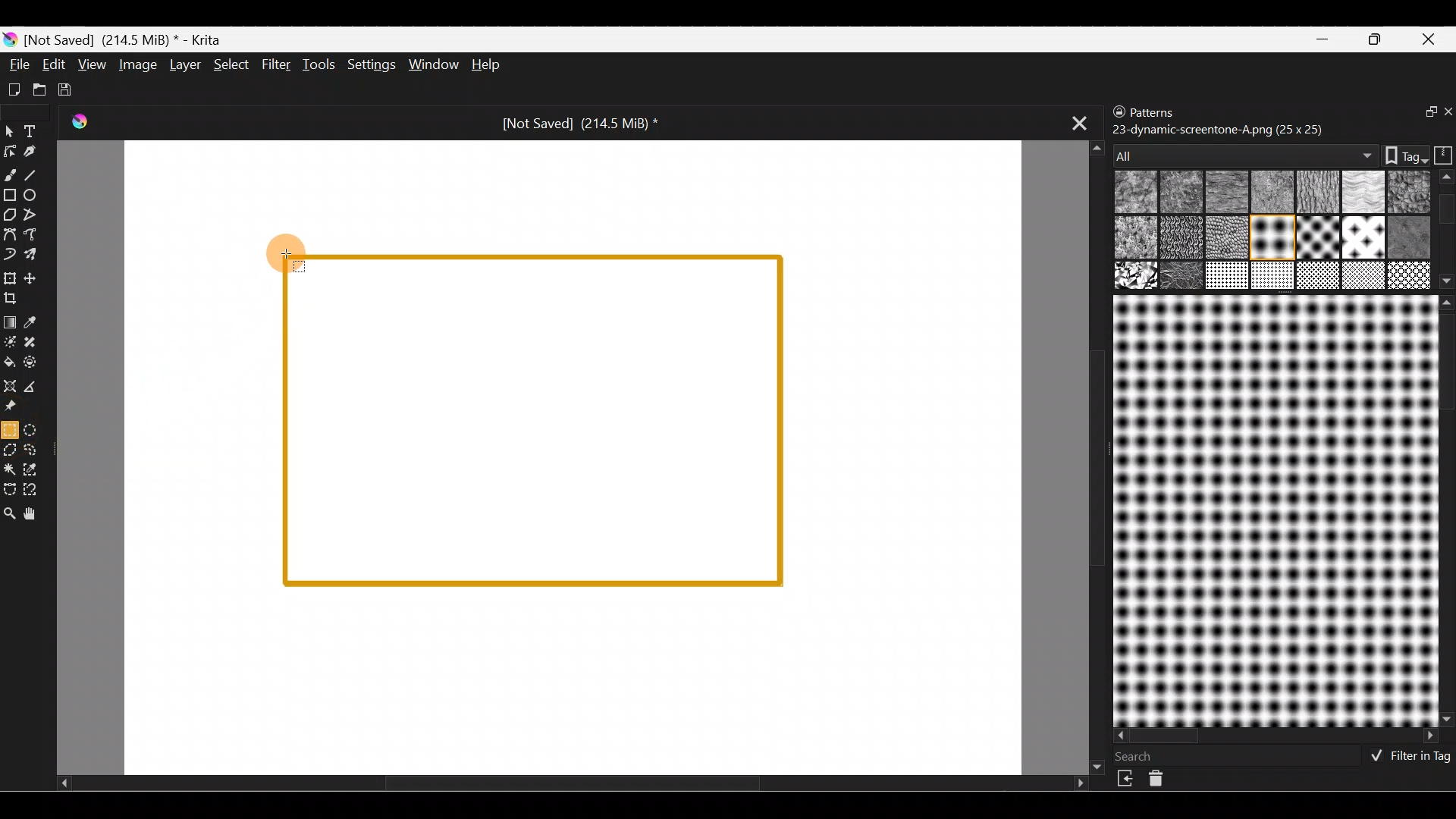  I want to click on Delete resource, so click(1164, 782).